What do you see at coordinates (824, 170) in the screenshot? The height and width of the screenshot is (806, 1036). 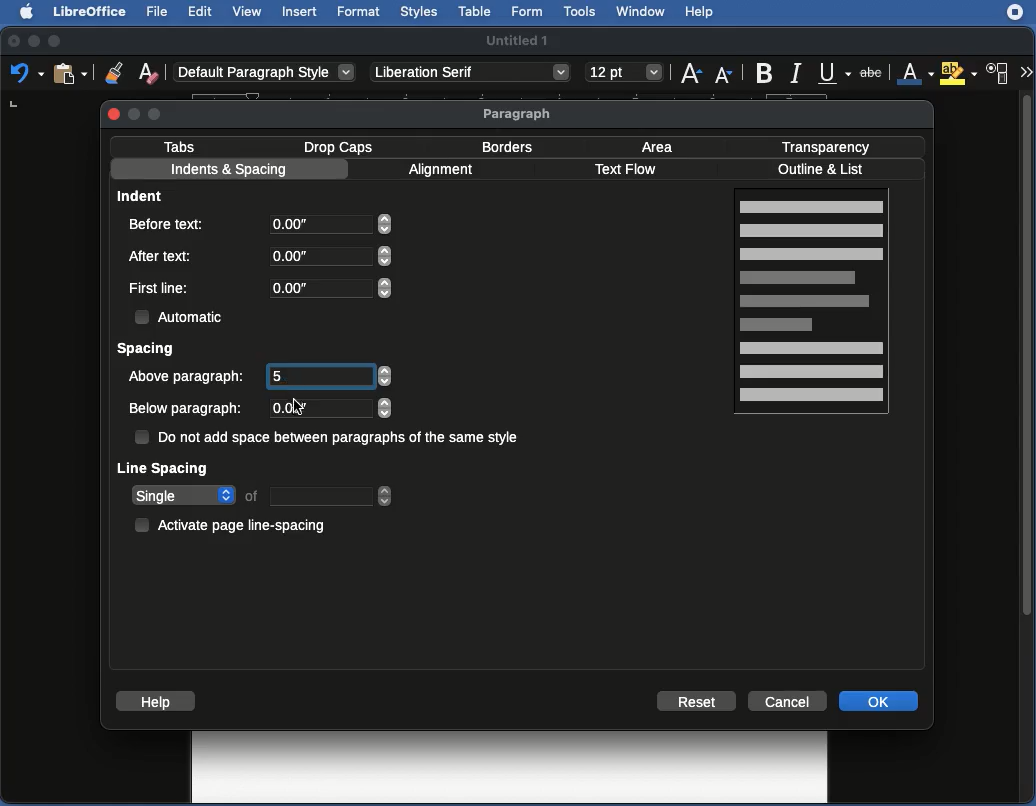 I see `Outline and list` at bounding box center [824, 170].